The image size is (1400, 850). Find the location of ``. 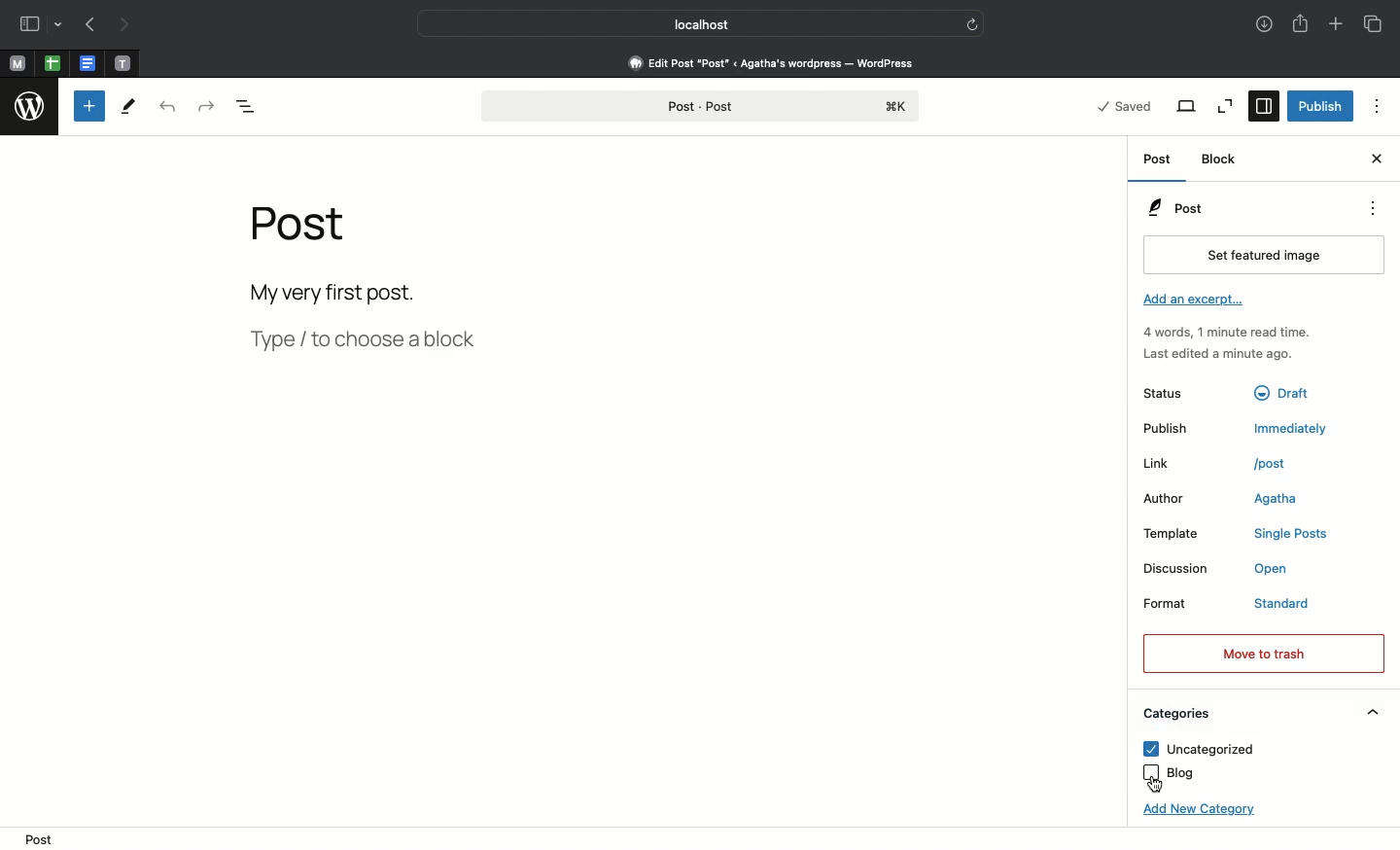

 is located at coordinates (1288, 390).